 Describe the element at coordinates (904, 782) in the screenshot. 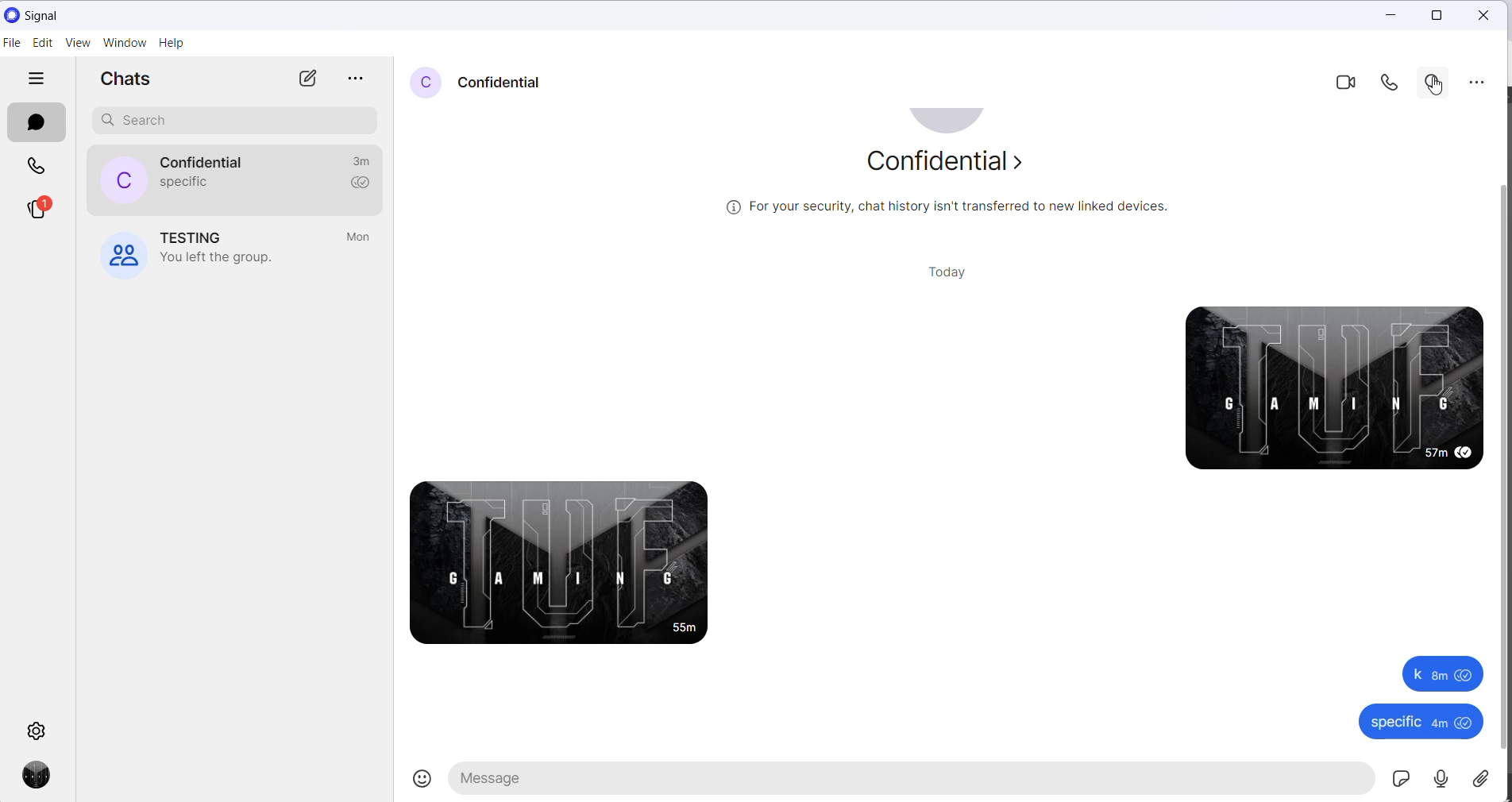

I see `message text area` at that location.